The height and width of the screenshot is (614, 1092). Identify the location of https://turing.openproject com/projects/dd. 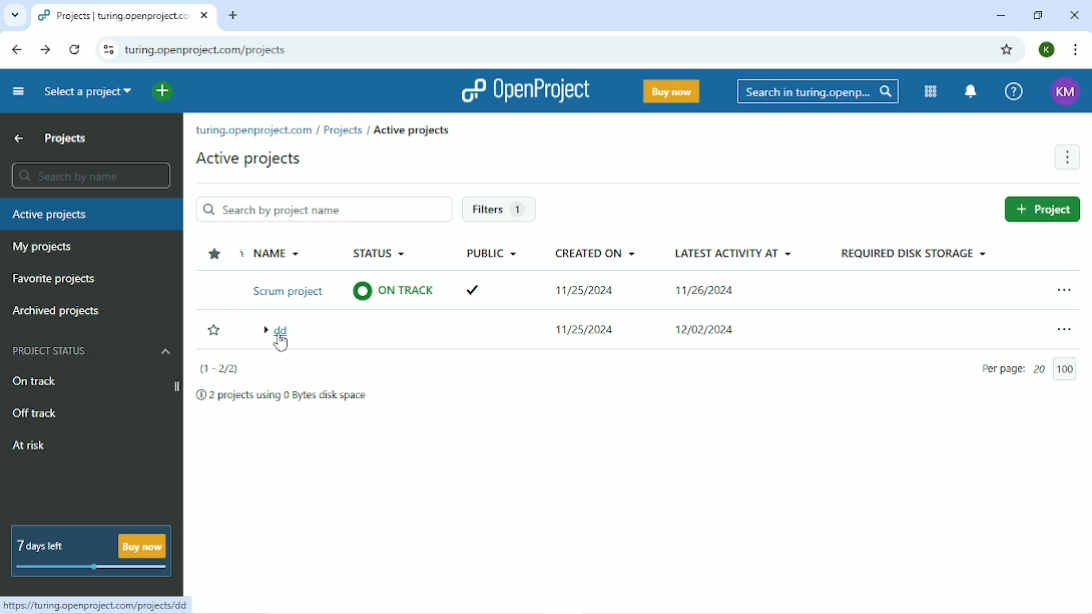
(94, 606).